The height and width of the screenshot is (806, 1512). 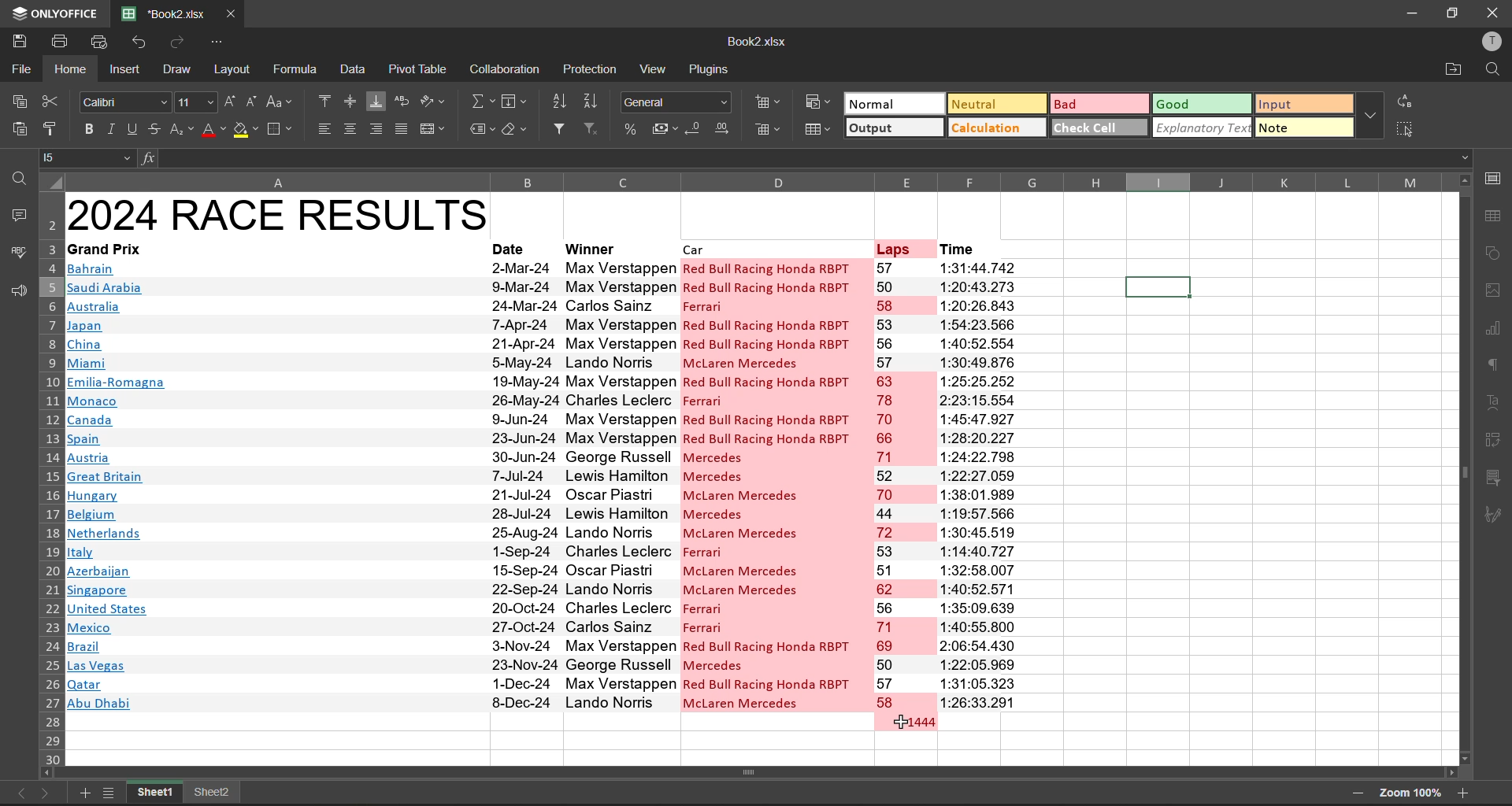 I want to click on italic, so click(x=113, y=128).